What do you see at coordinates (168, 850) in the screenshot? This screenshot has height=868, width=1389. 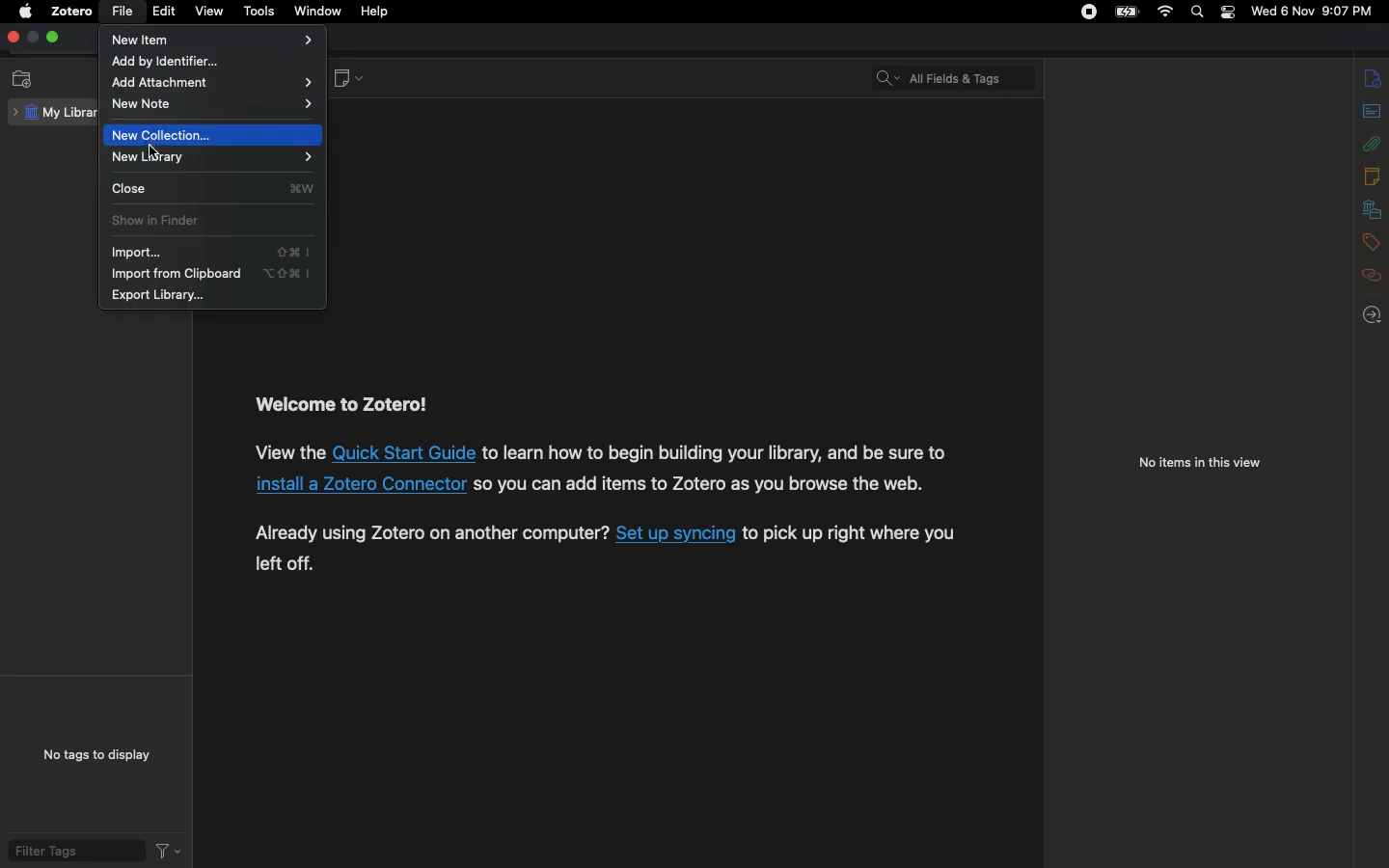 I see `Filter` at bounding box center [168, 850].